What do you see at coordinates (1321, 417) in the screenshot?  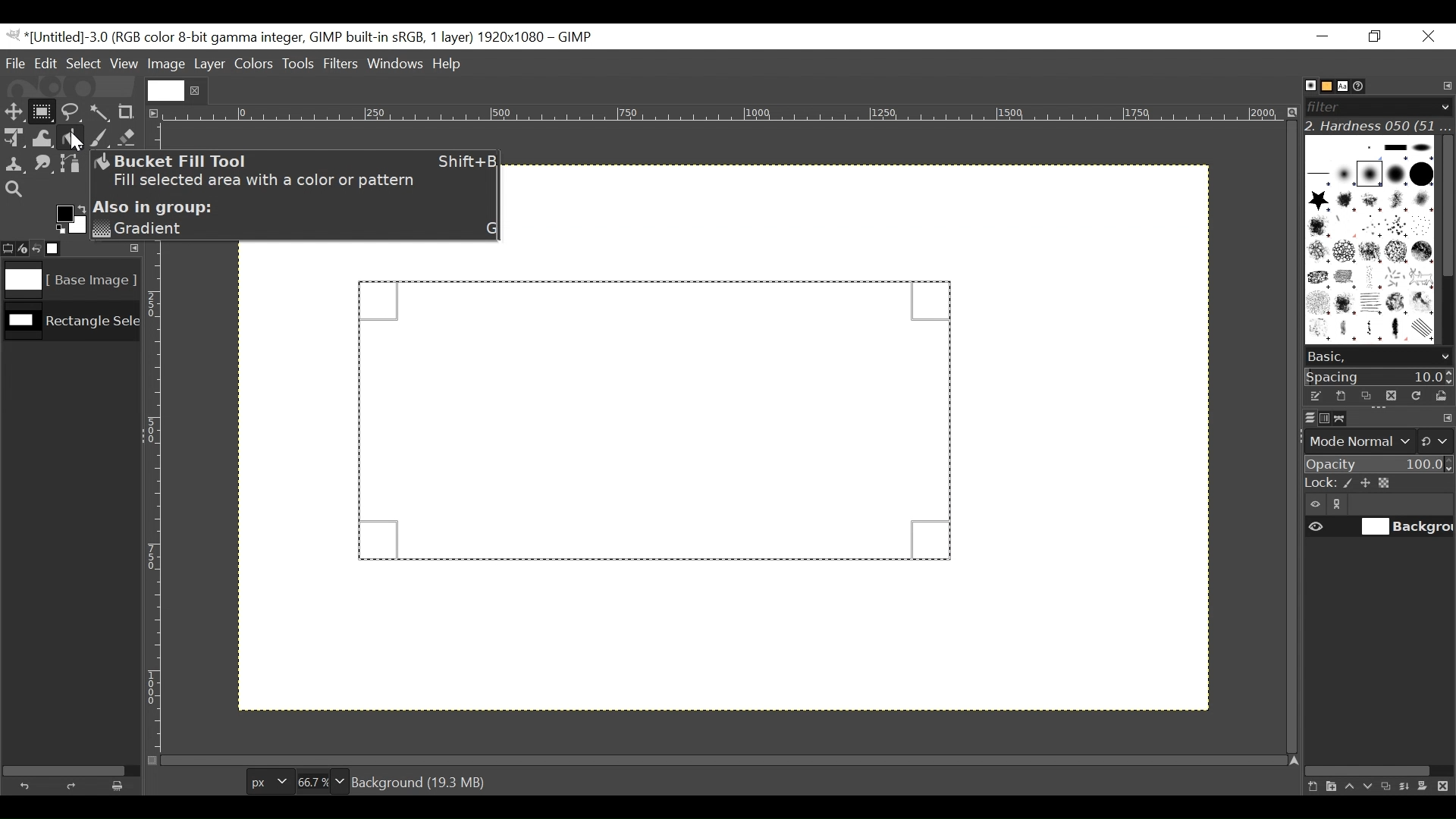 I see `Channels` at bounding box center [1321, 417].